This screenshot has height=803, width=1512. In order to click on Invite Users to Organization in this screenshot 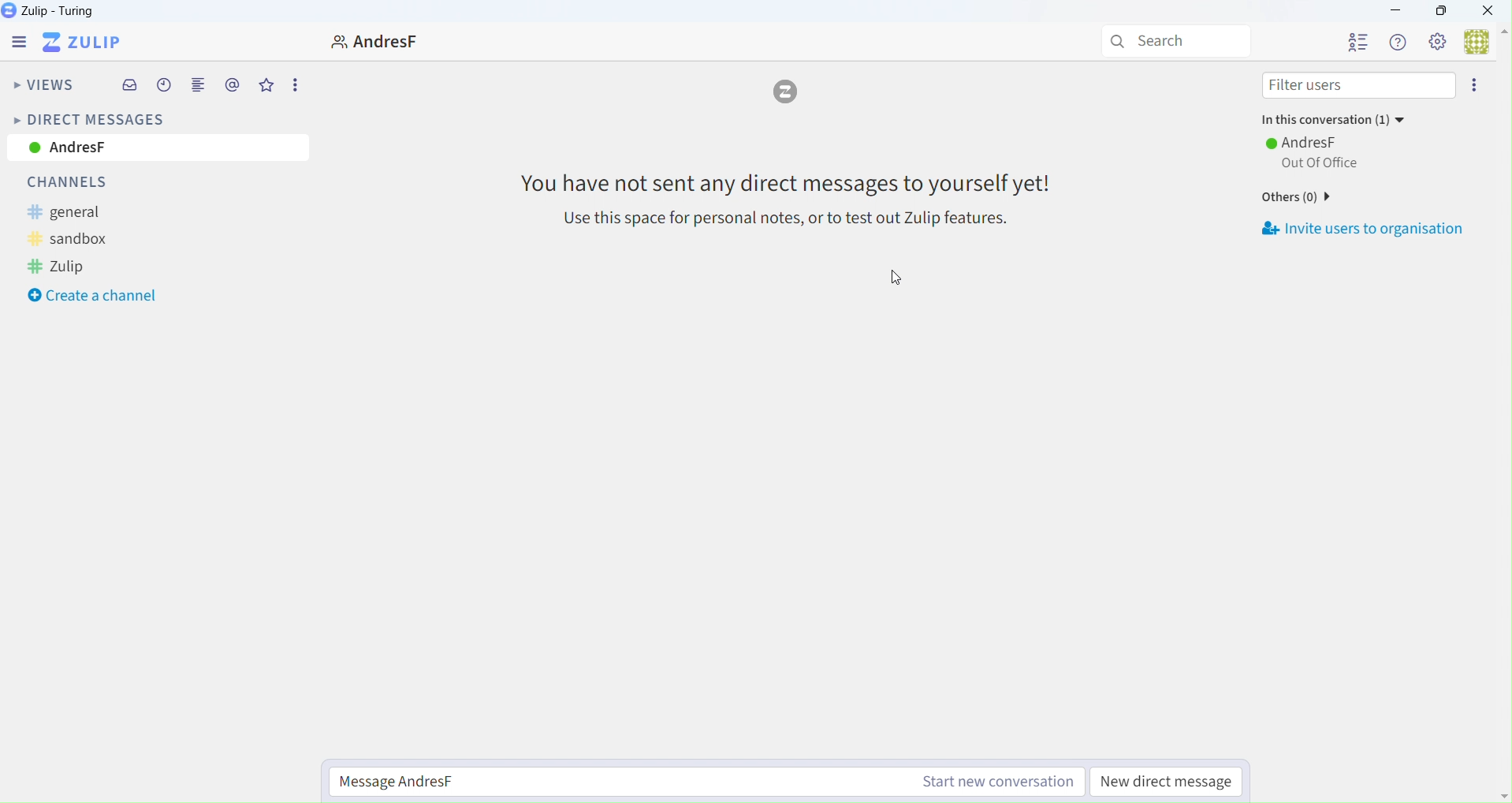, I will do `click(1360, 228)`.